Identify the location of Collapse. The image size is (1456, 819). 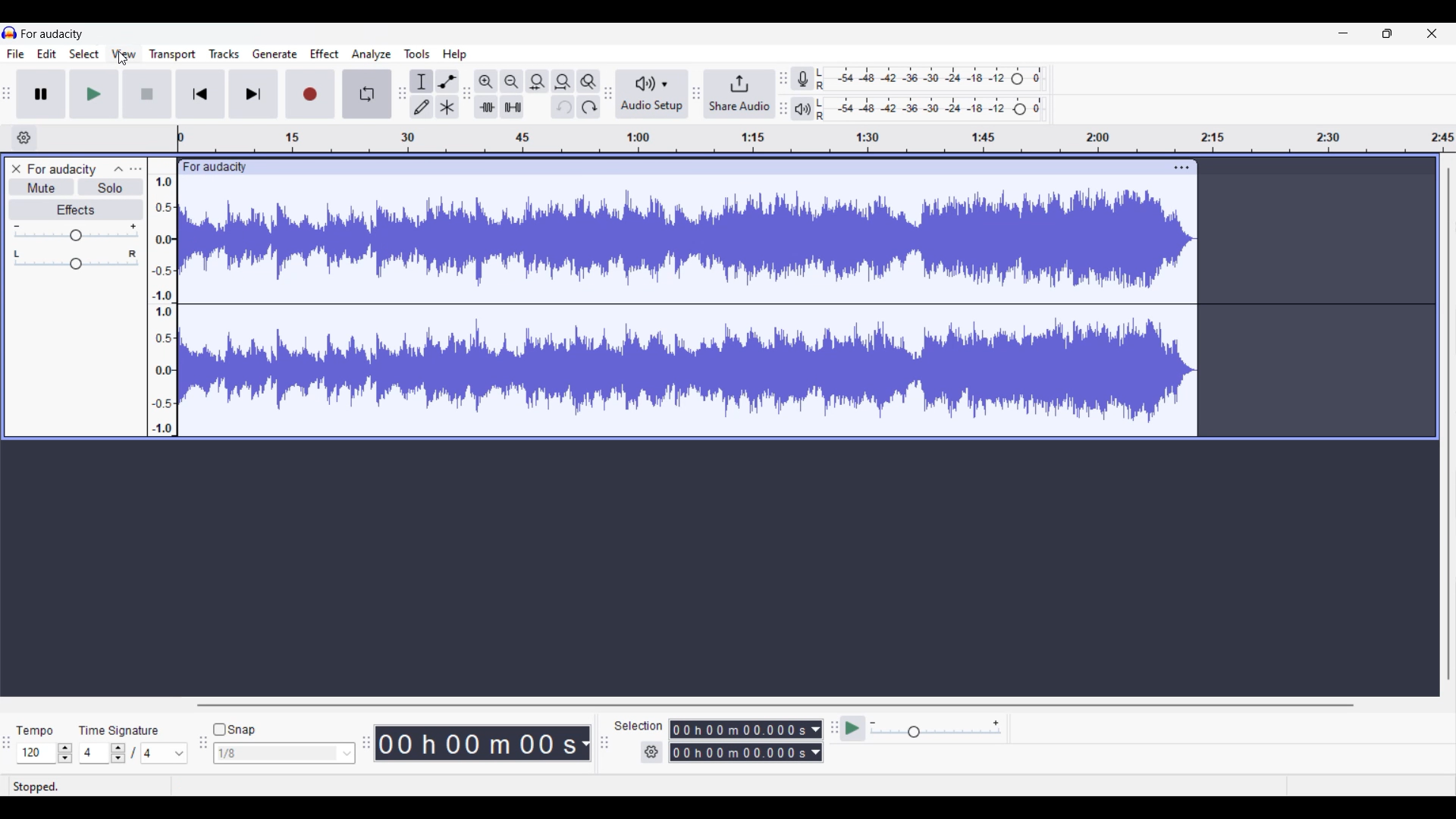
(118, 168).